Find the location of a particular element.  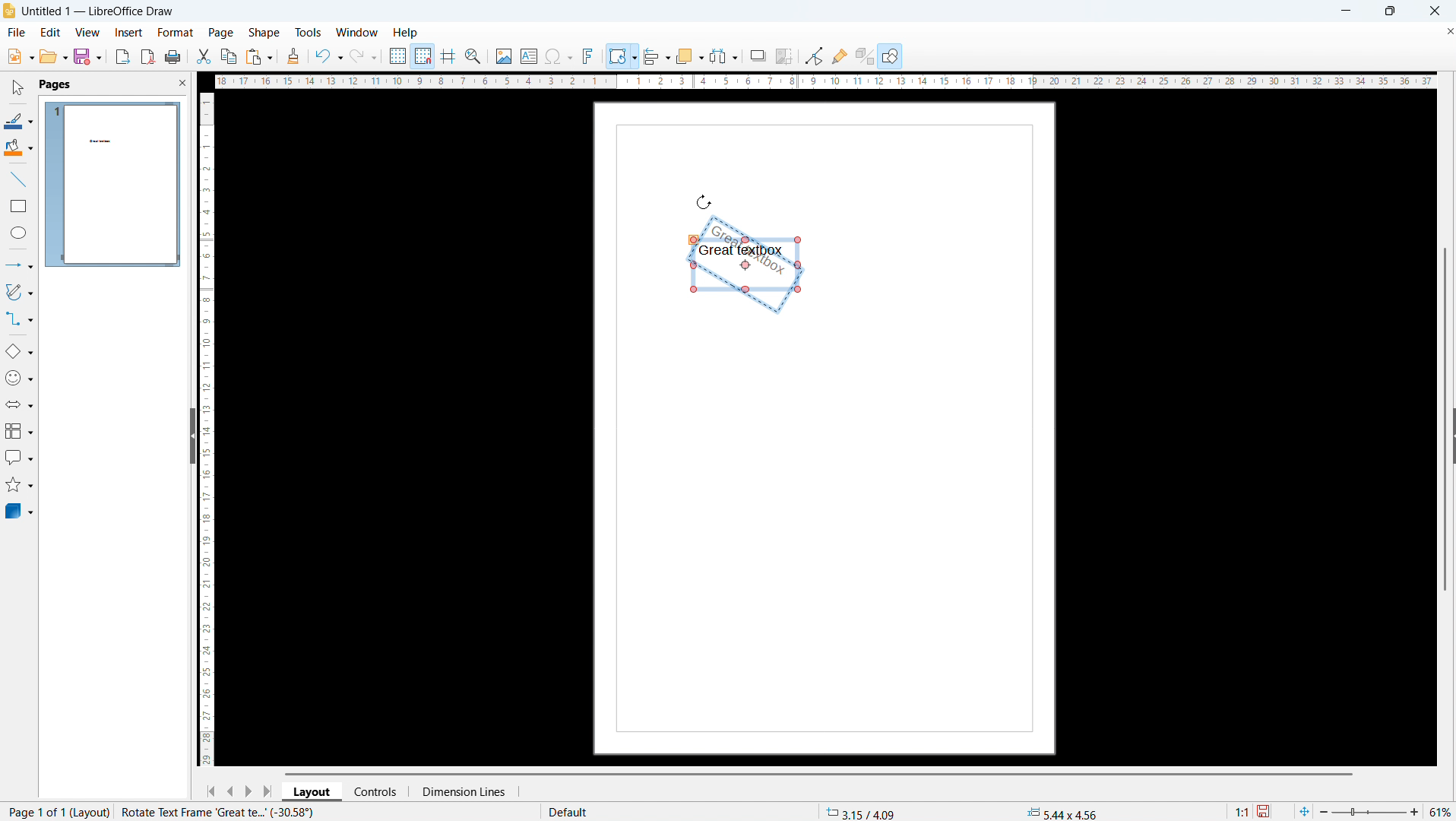

transformation is located at coordinates (622, 55).